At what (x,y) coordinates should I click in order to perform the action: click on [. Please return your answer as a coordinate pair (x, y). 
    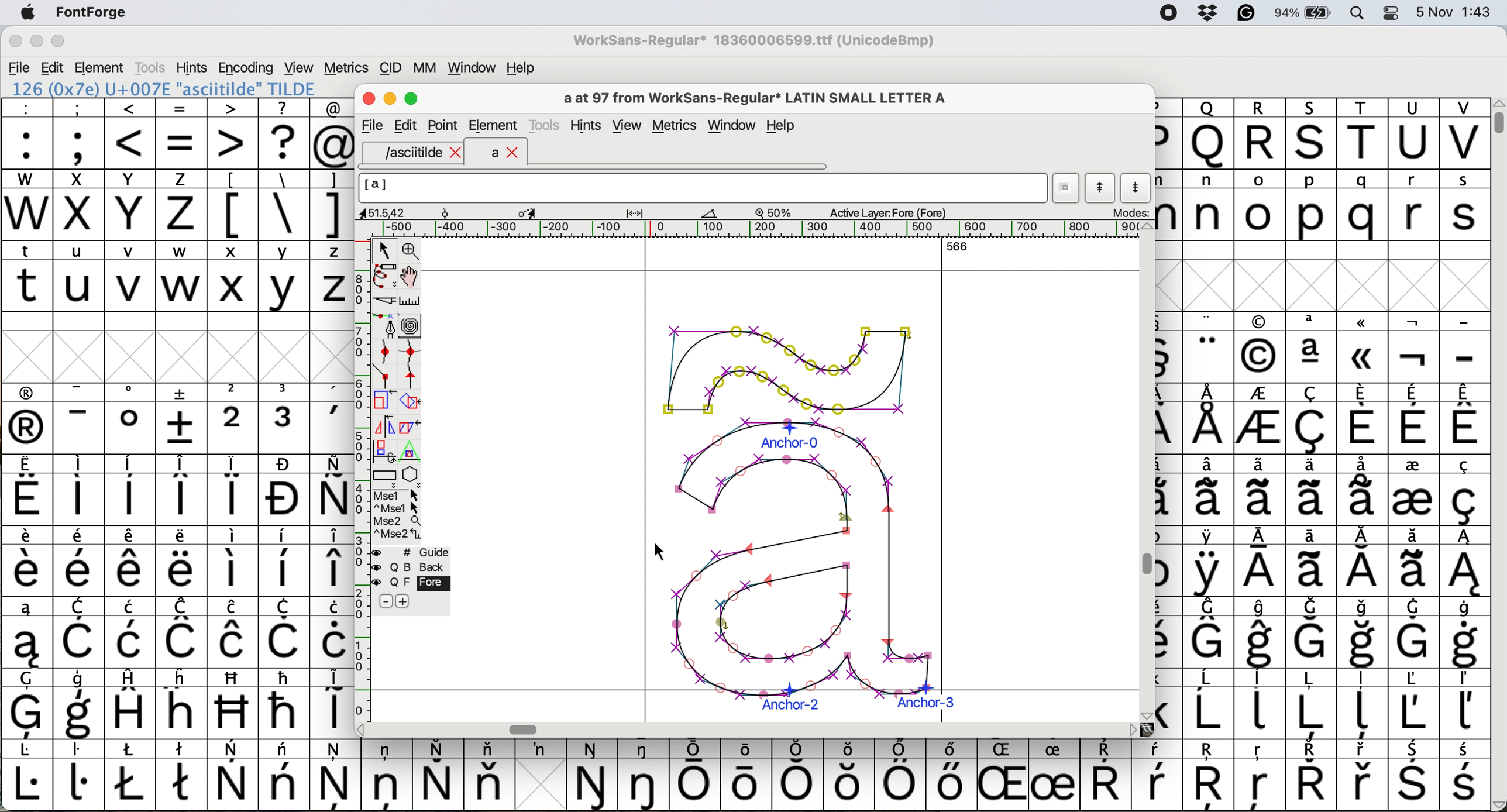
    Looking at the image, I should click on (233, 205).